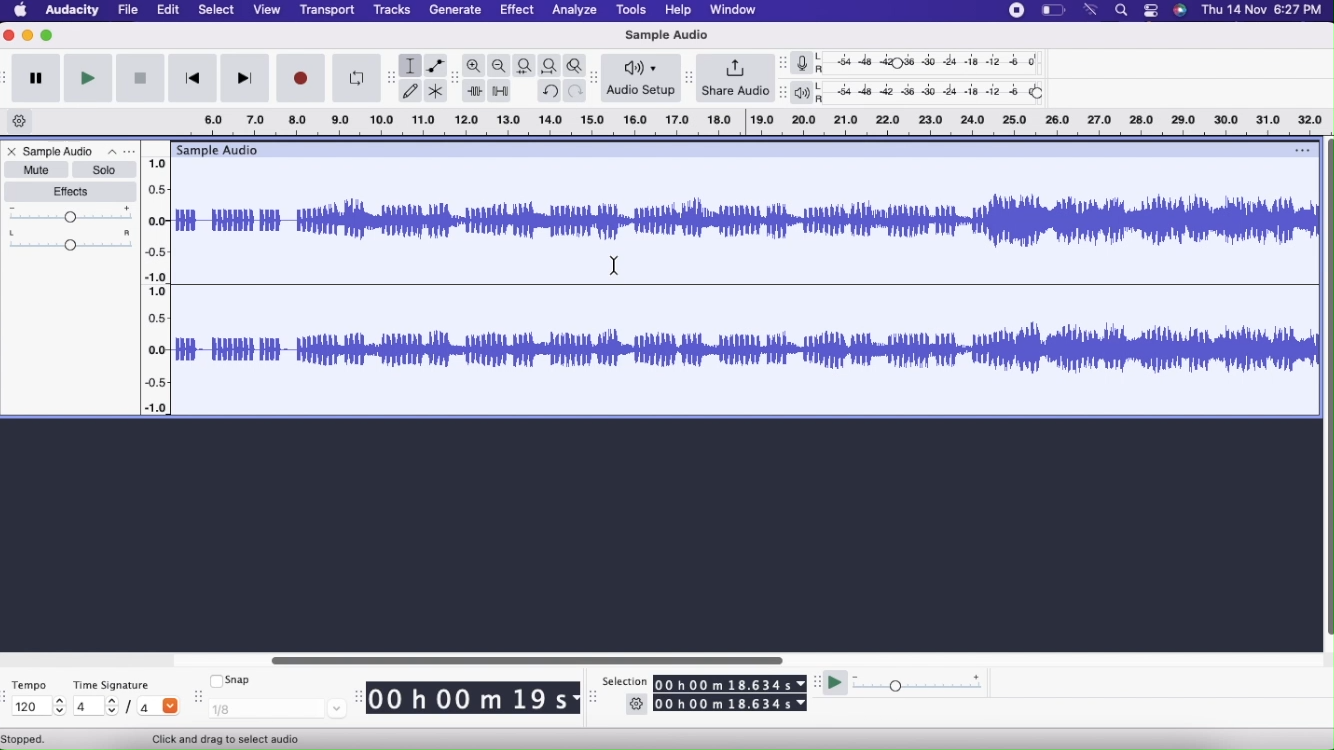  What do you see at coordinates (437, 90) in the screenshot?
I see `Multi-tool` at bounding box center [437, 90].